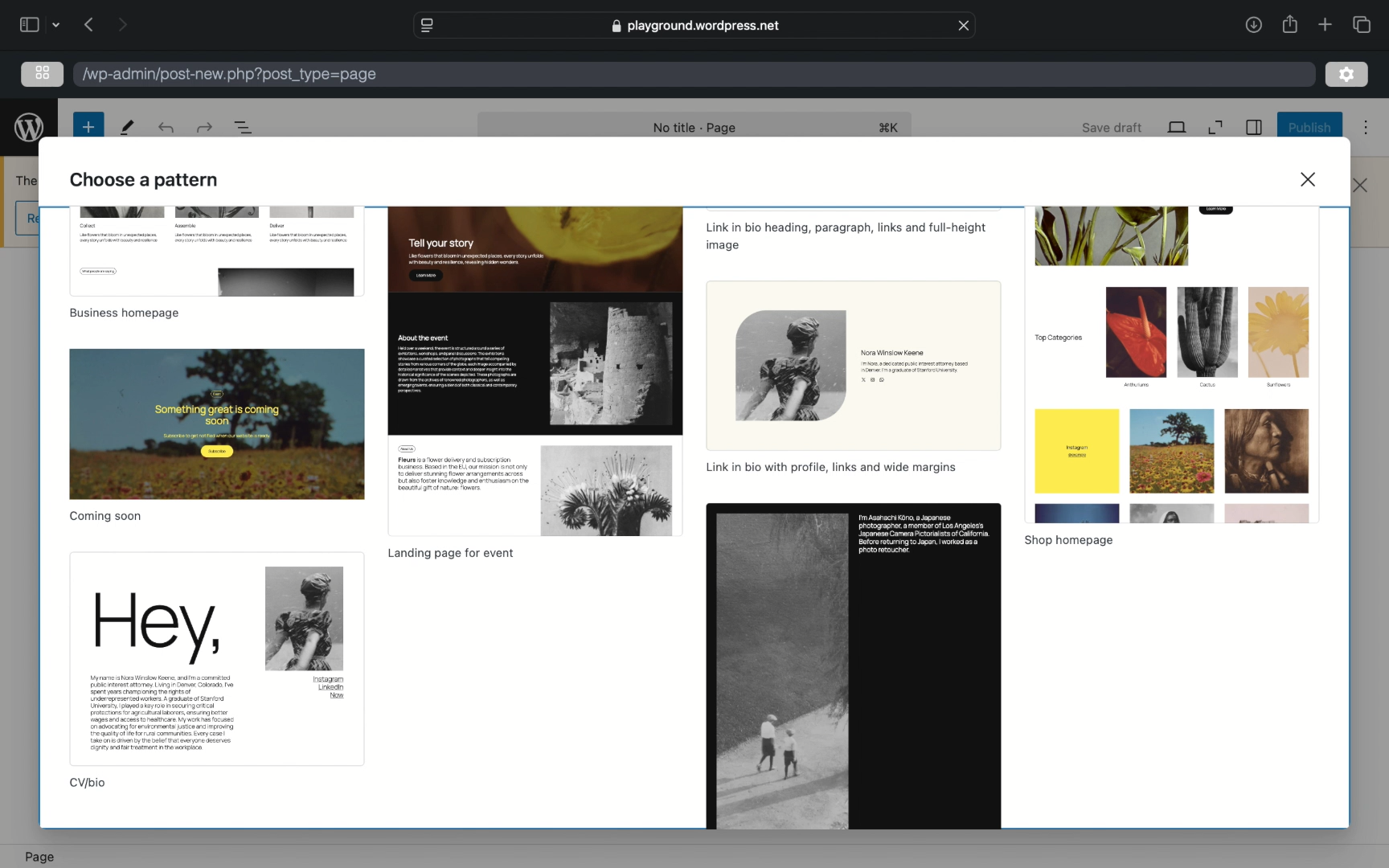 Image resolution: width=1389 pixels, height=868 pixels. I want to click on choose a pattern, so click(145, 179).